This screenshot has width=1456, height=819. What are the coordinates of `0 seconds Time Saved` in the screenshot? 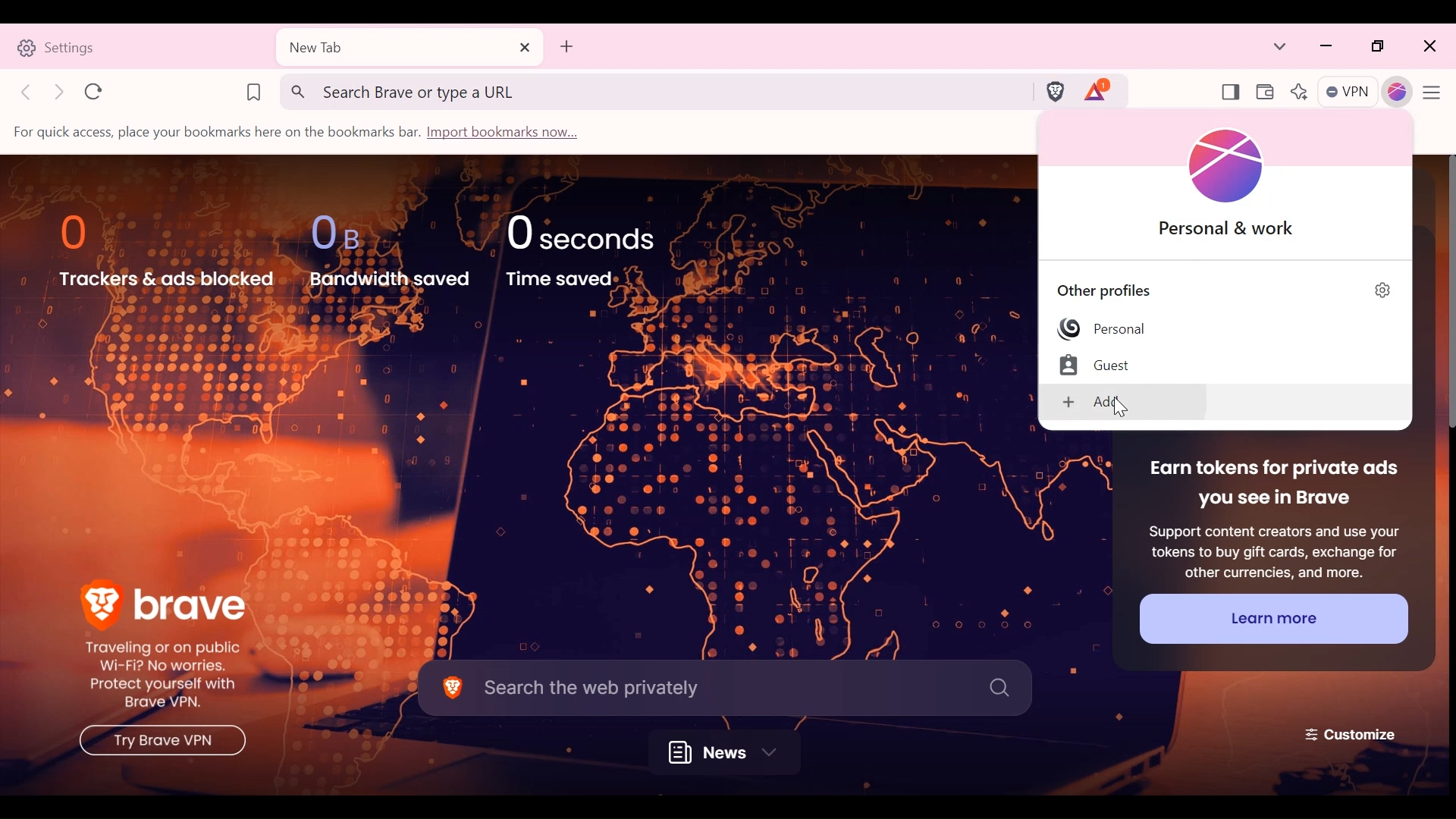 It's located at (595, 249).